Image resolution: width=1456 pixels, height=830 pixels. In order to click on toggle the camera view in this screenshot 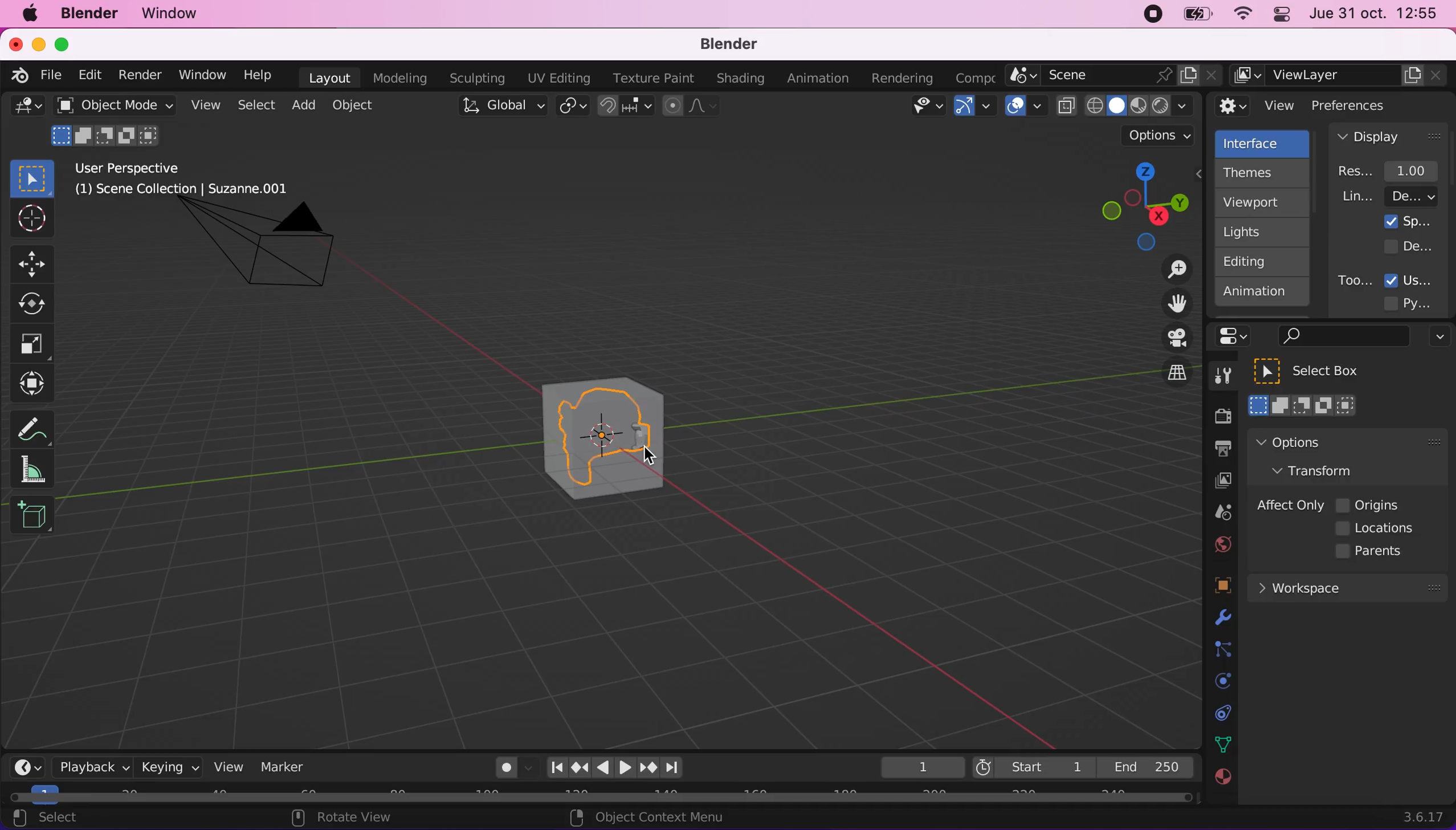, I will do `click(1169, 339)`.